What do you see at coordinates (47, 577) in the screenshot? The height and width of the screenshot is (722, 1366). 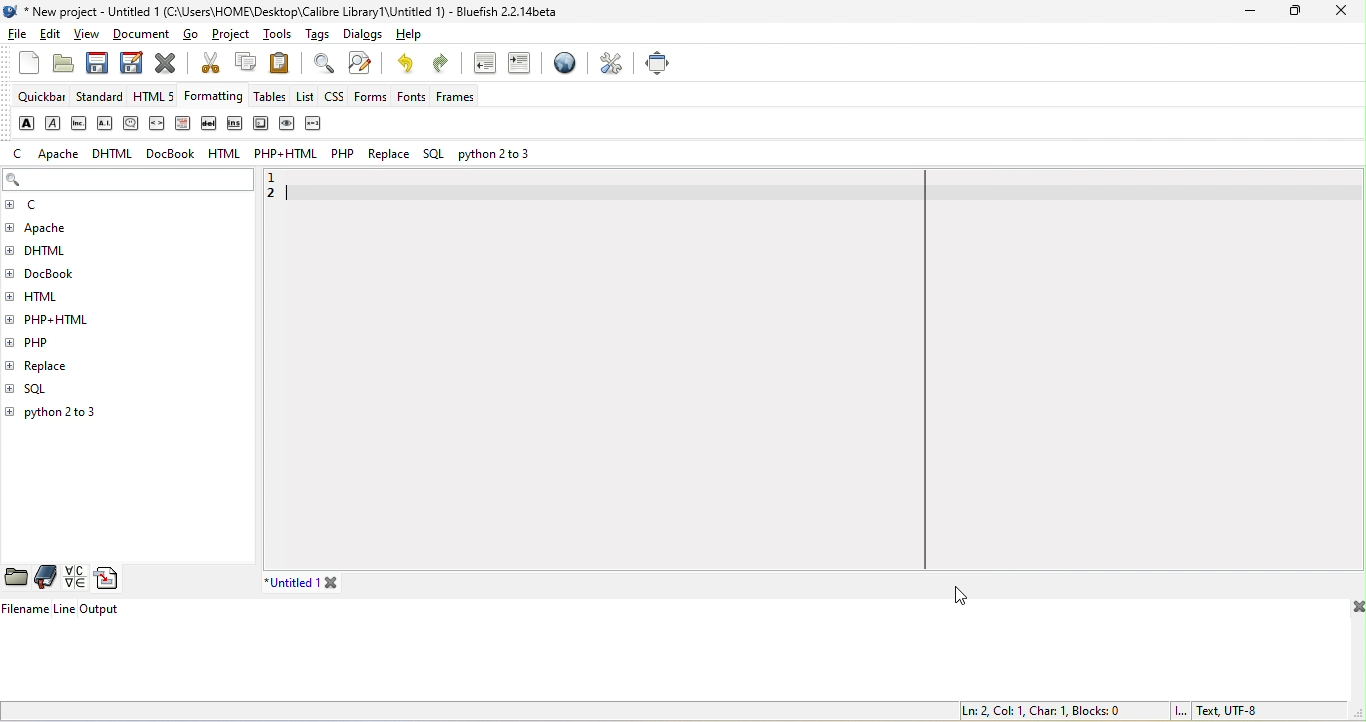 I see `bookmarks` at bounding box center [47, 577].